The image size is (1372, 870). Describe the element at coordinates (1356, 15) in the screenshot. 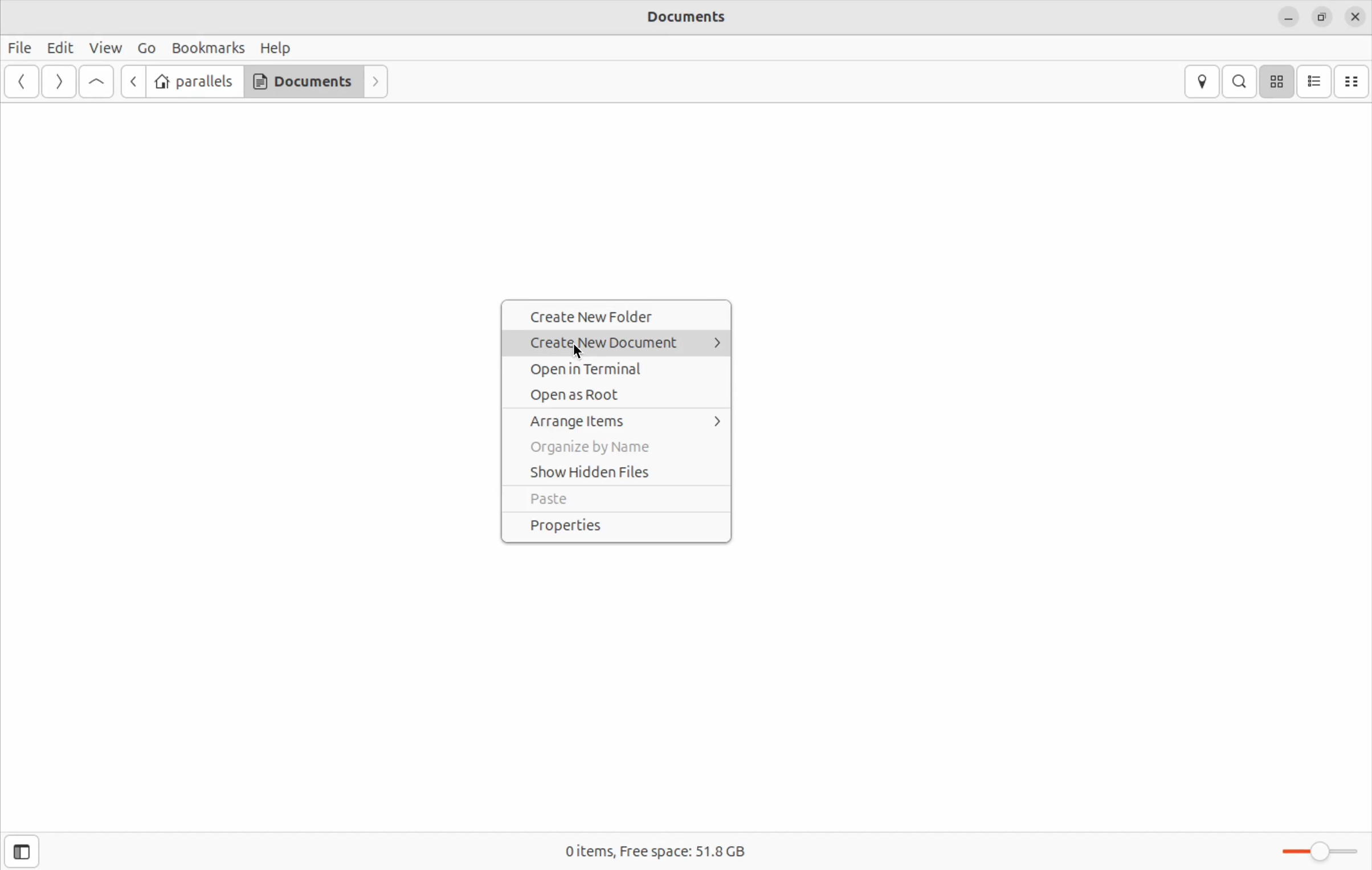

I see `close` at that location.